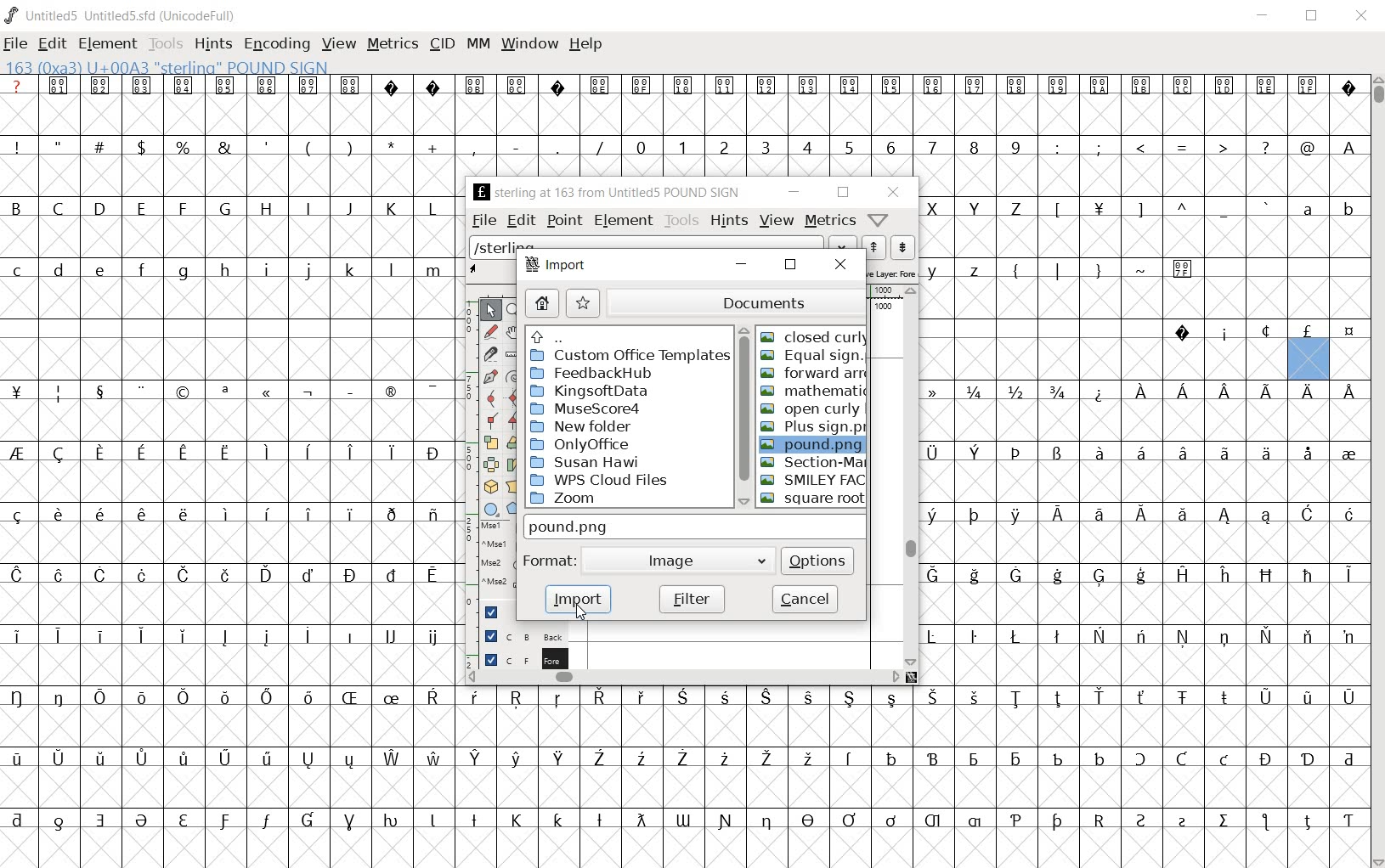 The height and width of the screenshot is (868, 1385). What do you see at coordinates (308, 272) in the screenshot?
I see `j` at bounding box center [308, 272].